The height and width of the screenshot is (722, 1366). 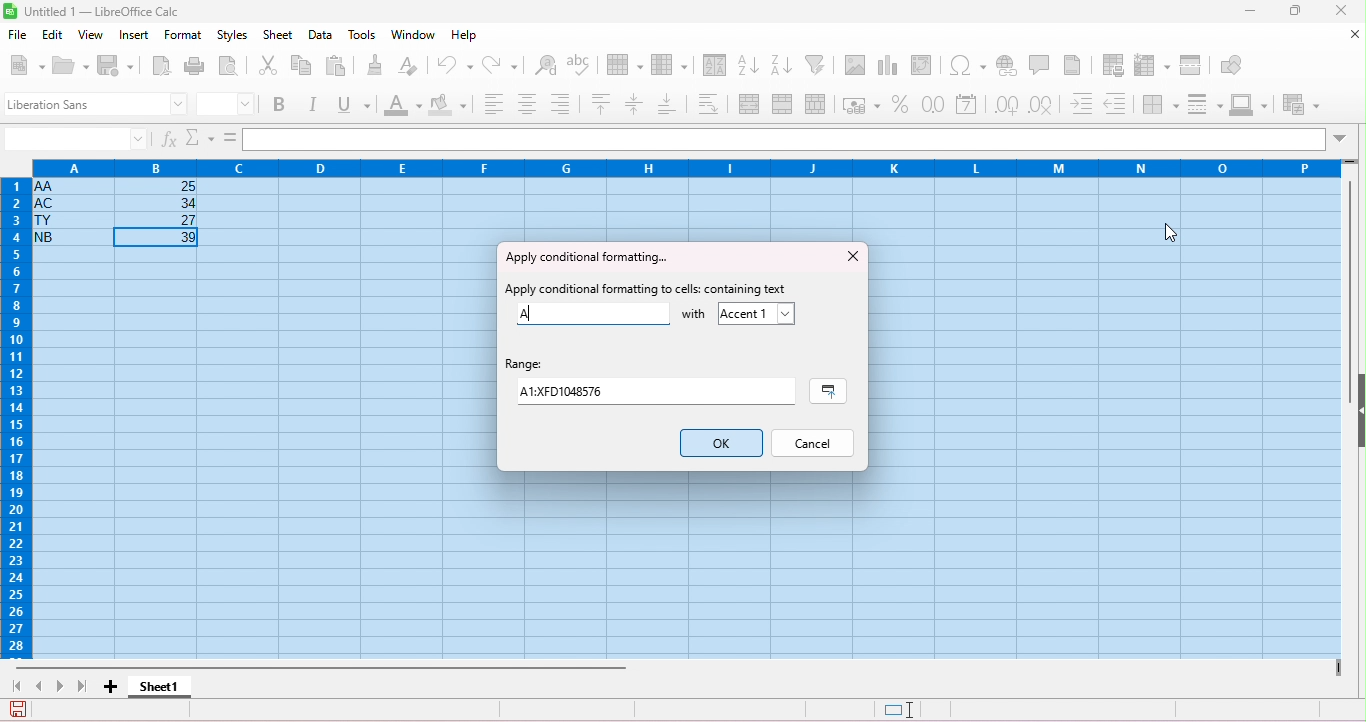 I want to click on drop down, so click(x=1342, y=137).